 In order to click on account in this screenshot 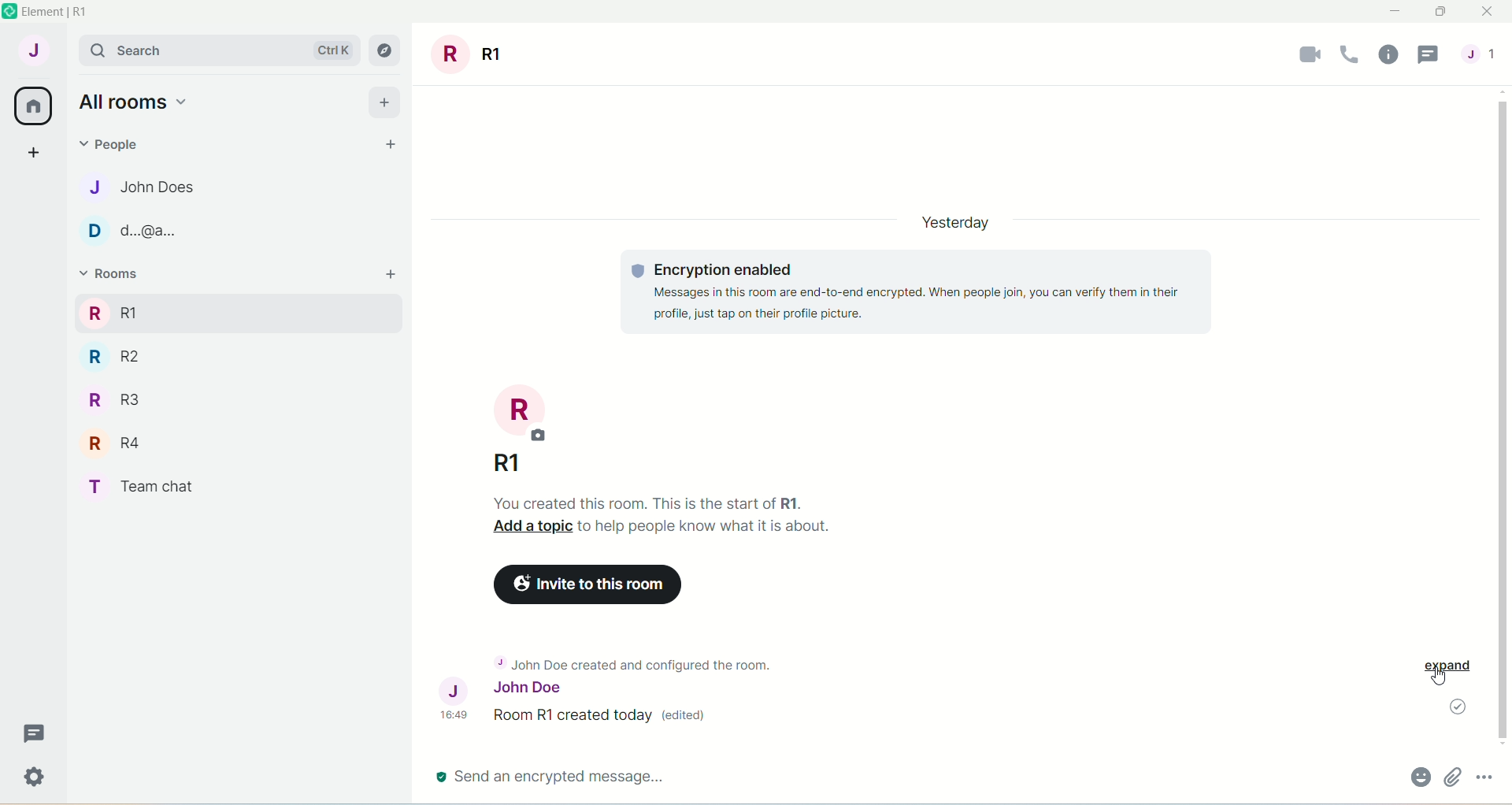, I will do `click(35, 50)`.